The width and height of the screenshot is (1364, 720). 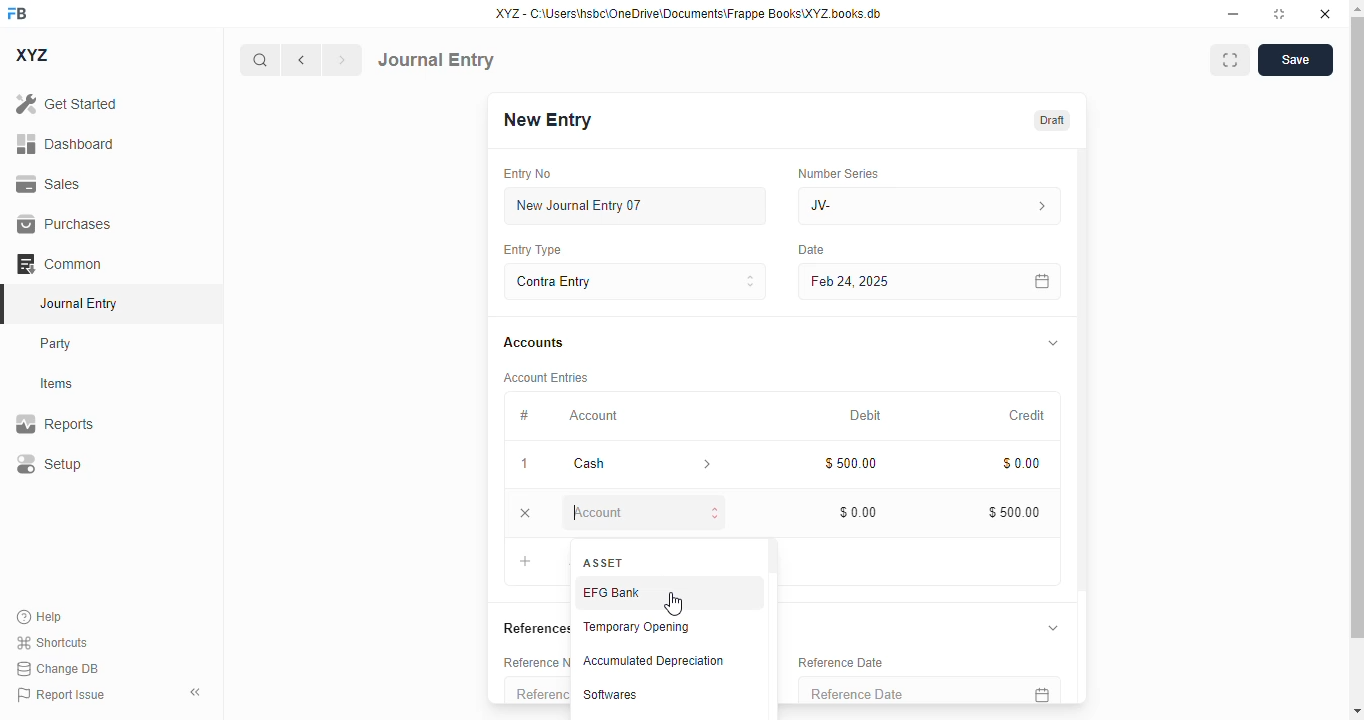 I want to click on remove, so click(x=525, y=513).